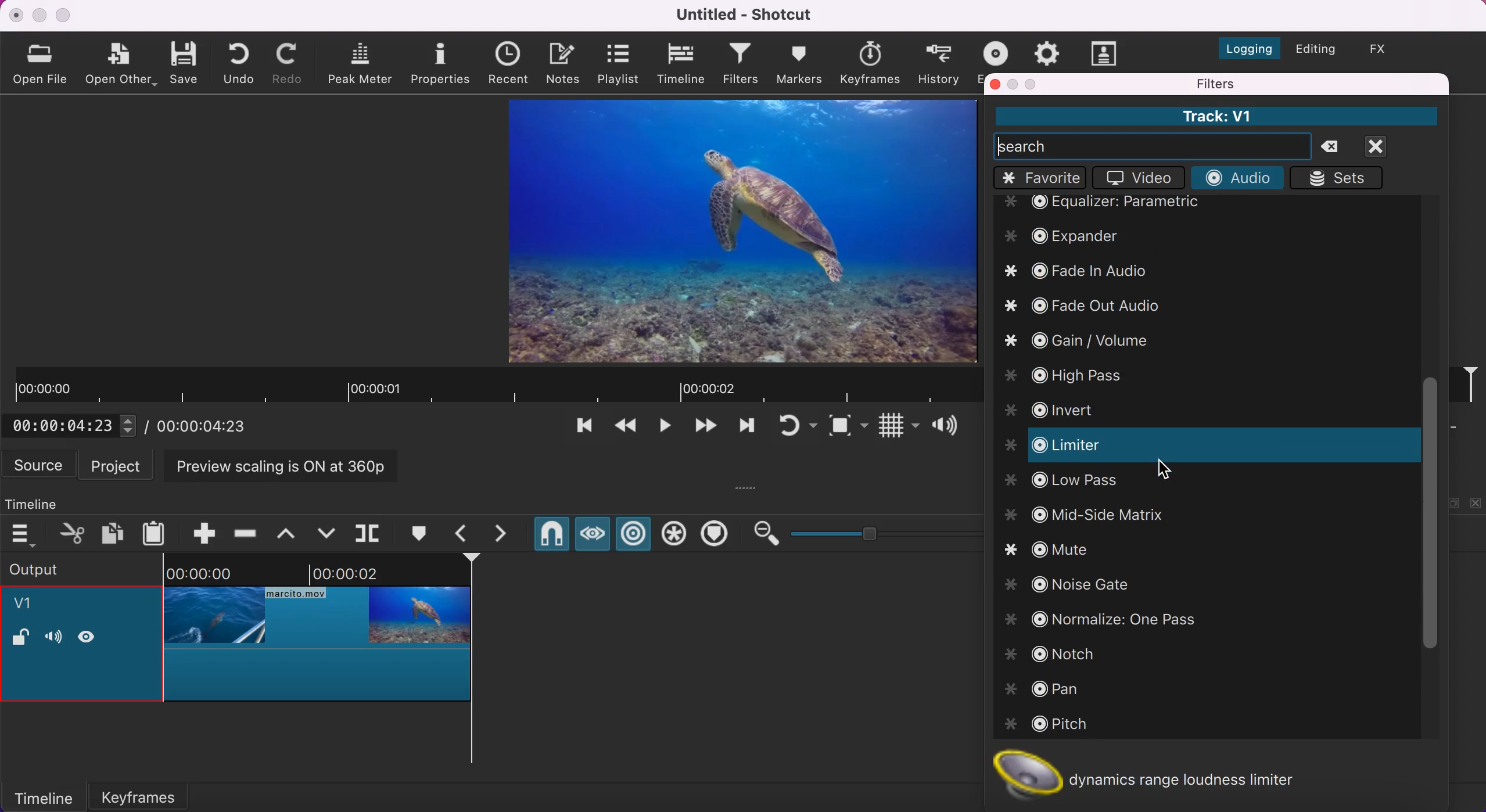 The image size is (1486, 812). I want to click on lift, so click(291, 533).